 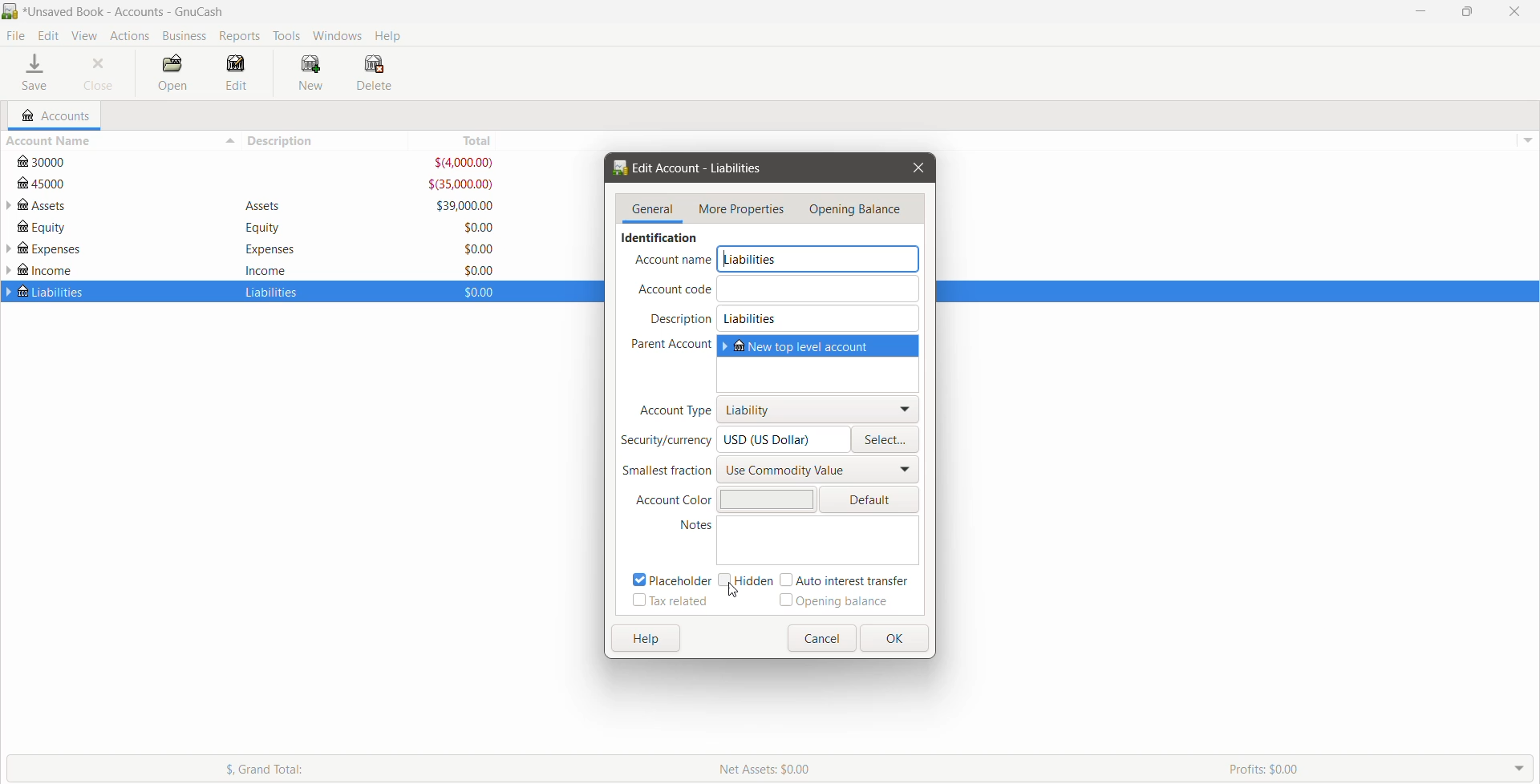 What do you see at coordinates (338, 34) in the screenshot?
I see `Windows` at bounding box center [338, 34].